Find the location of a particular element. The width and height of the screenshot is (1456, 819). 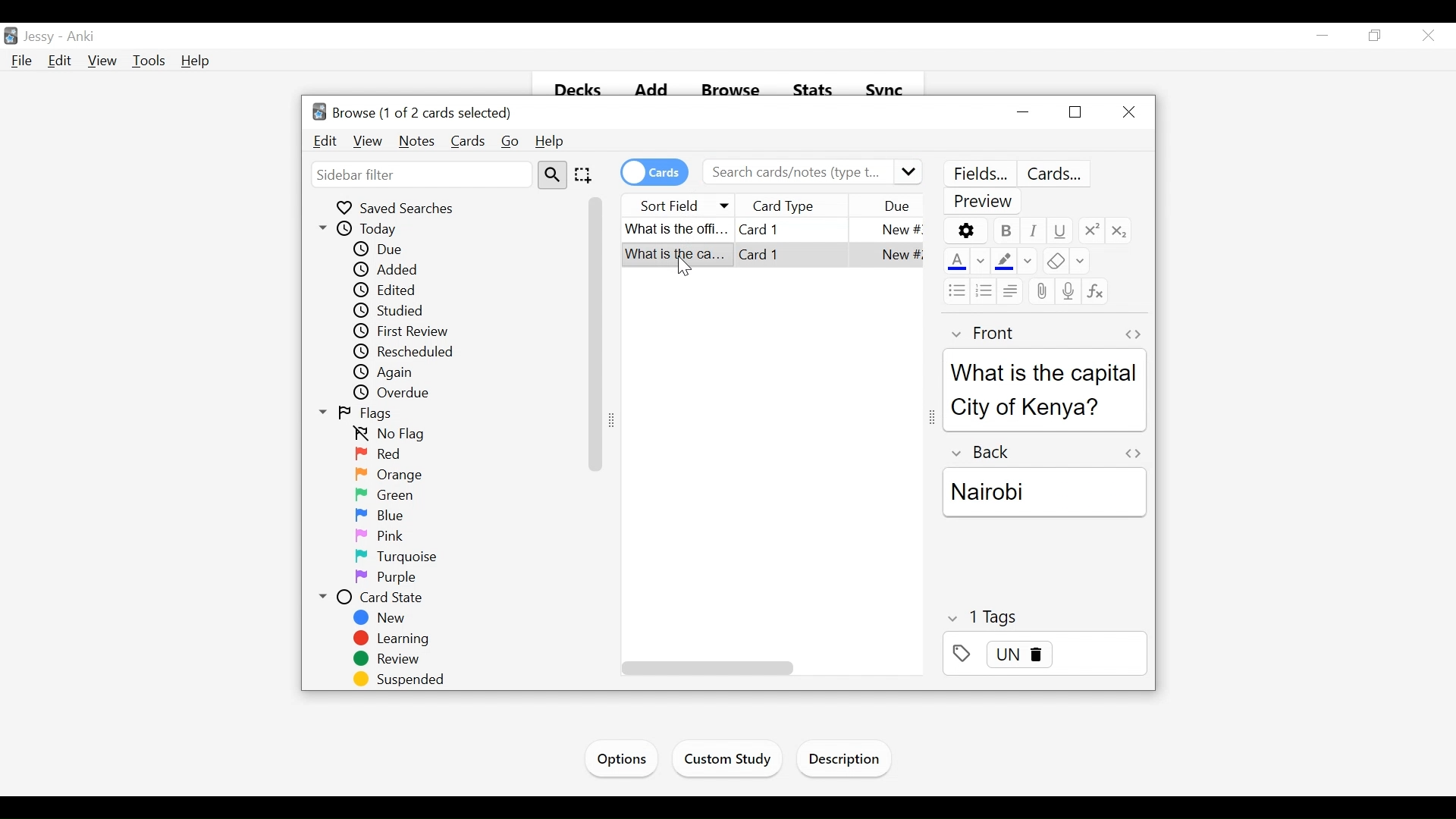

New is located at coordinates (381, 618).